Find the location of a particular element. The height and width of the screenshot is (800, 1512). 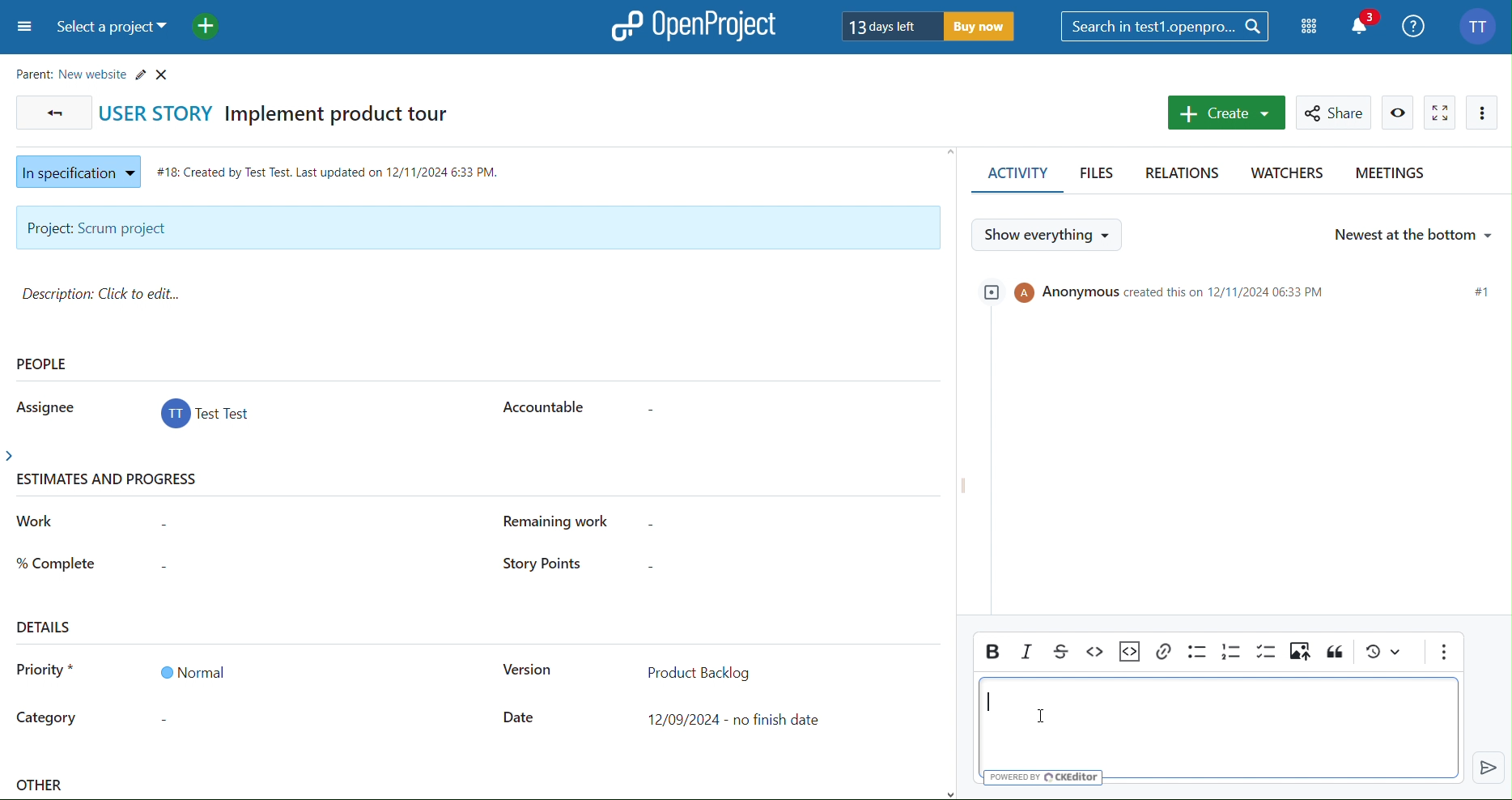

Send is located at coordinates (1489, 768).